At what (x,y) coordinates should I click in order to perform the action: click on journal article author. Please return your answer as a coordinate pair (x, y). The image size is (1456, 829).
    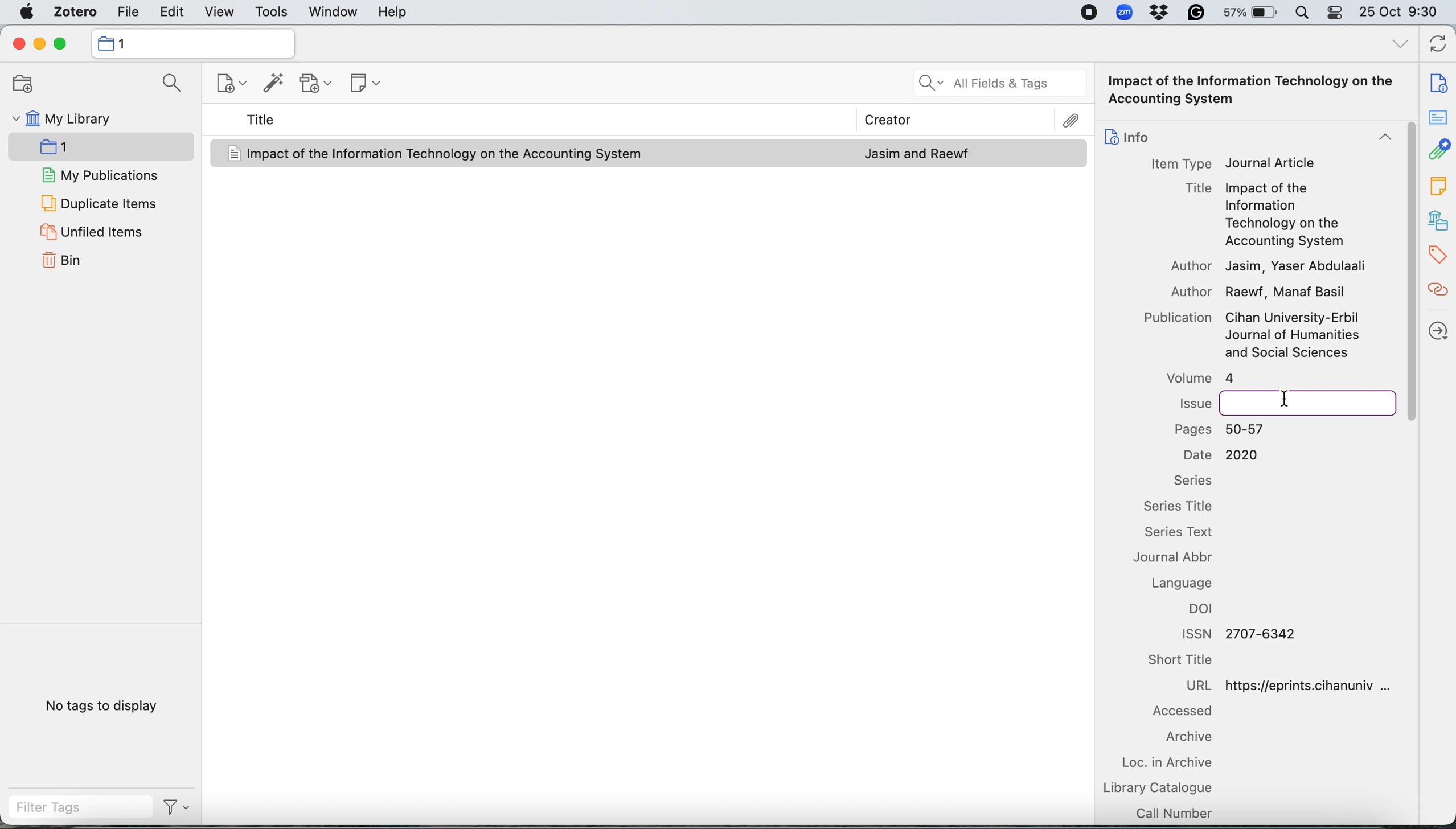
    Looking at the image, I should click on (917, 154).